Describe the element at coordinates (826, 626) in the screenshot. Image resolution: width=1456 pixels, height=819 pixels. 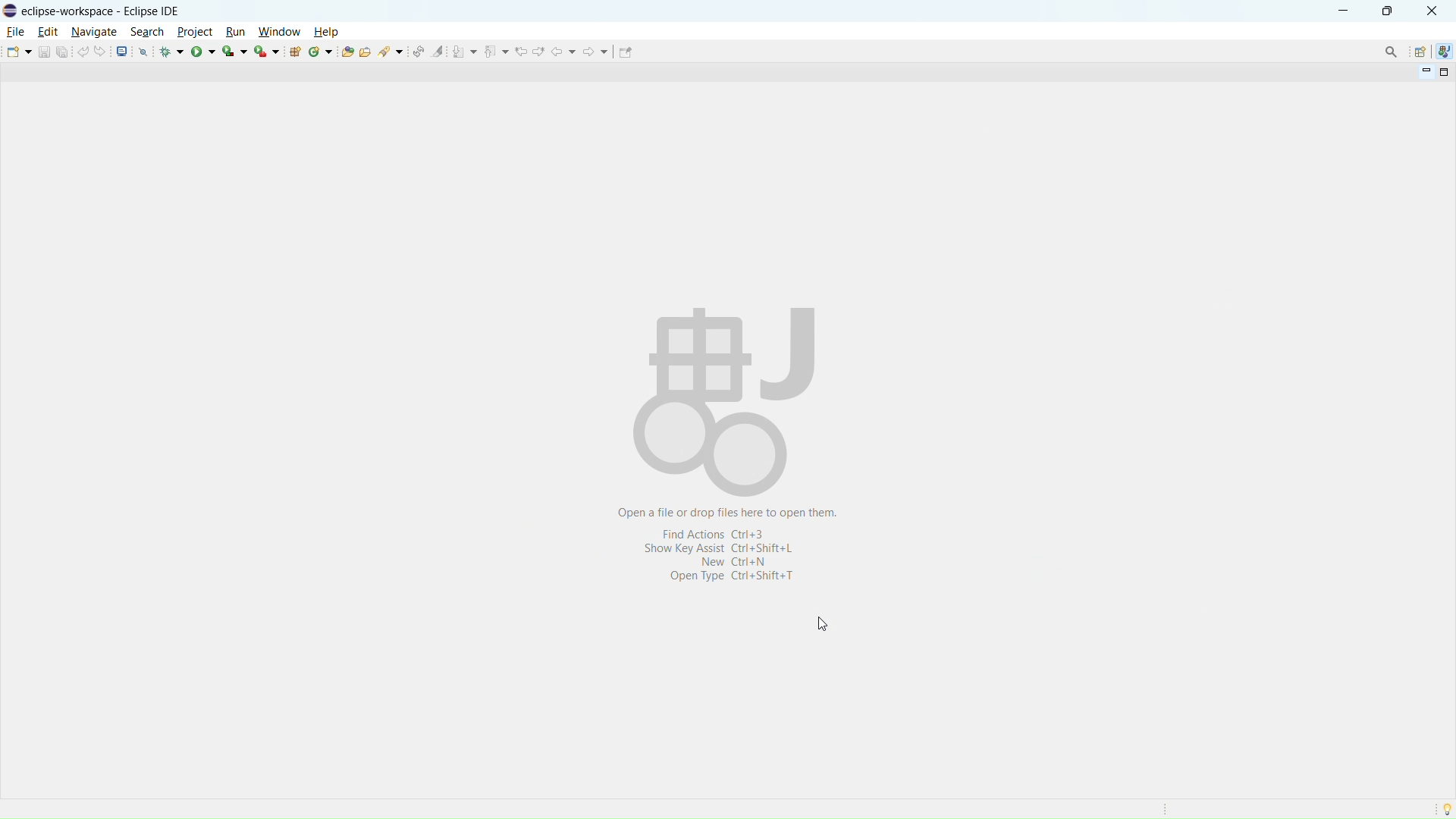
I see `Cursor` at that location.